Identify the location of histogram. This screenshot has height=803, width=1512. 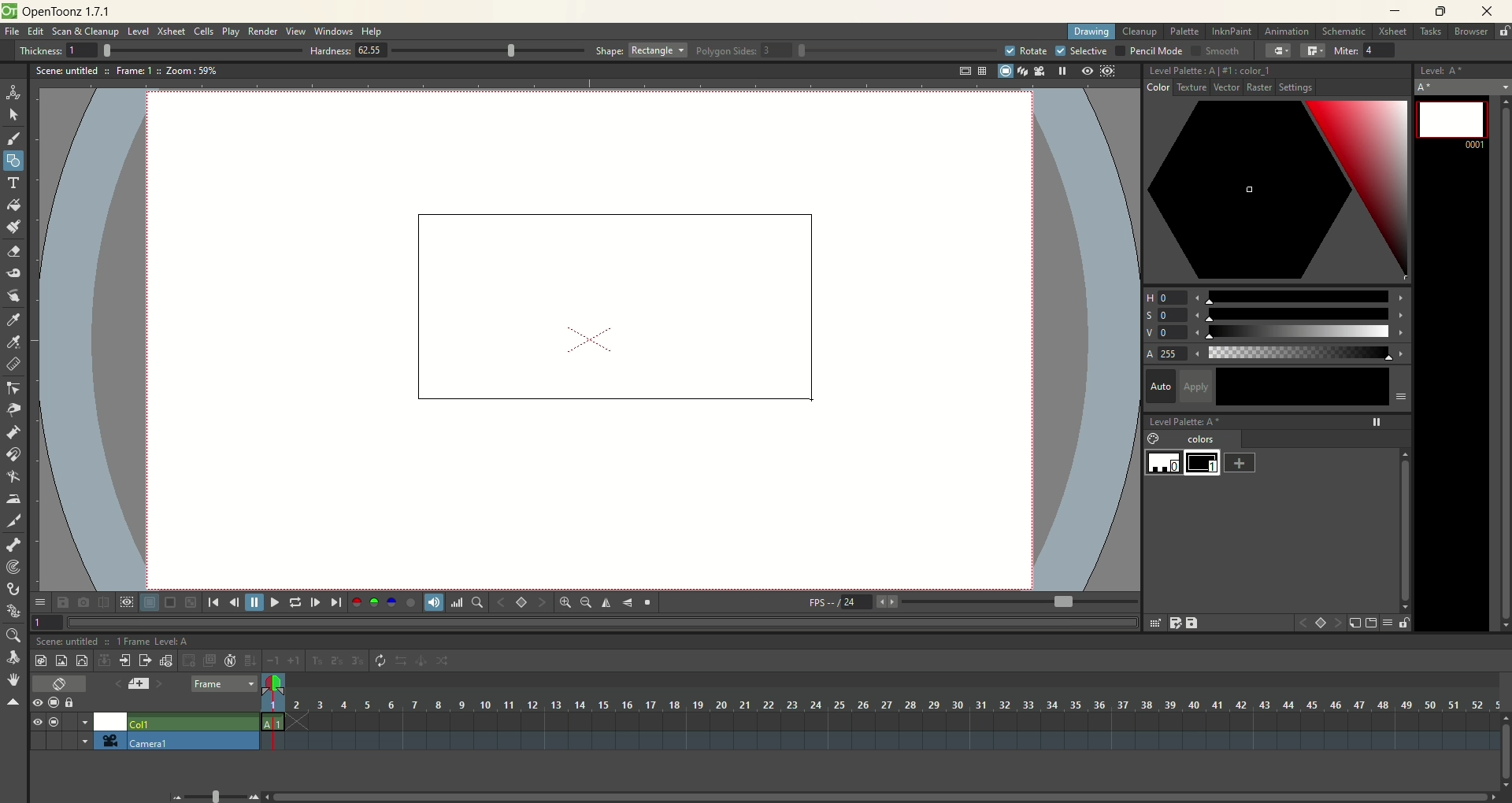
(457, 602).